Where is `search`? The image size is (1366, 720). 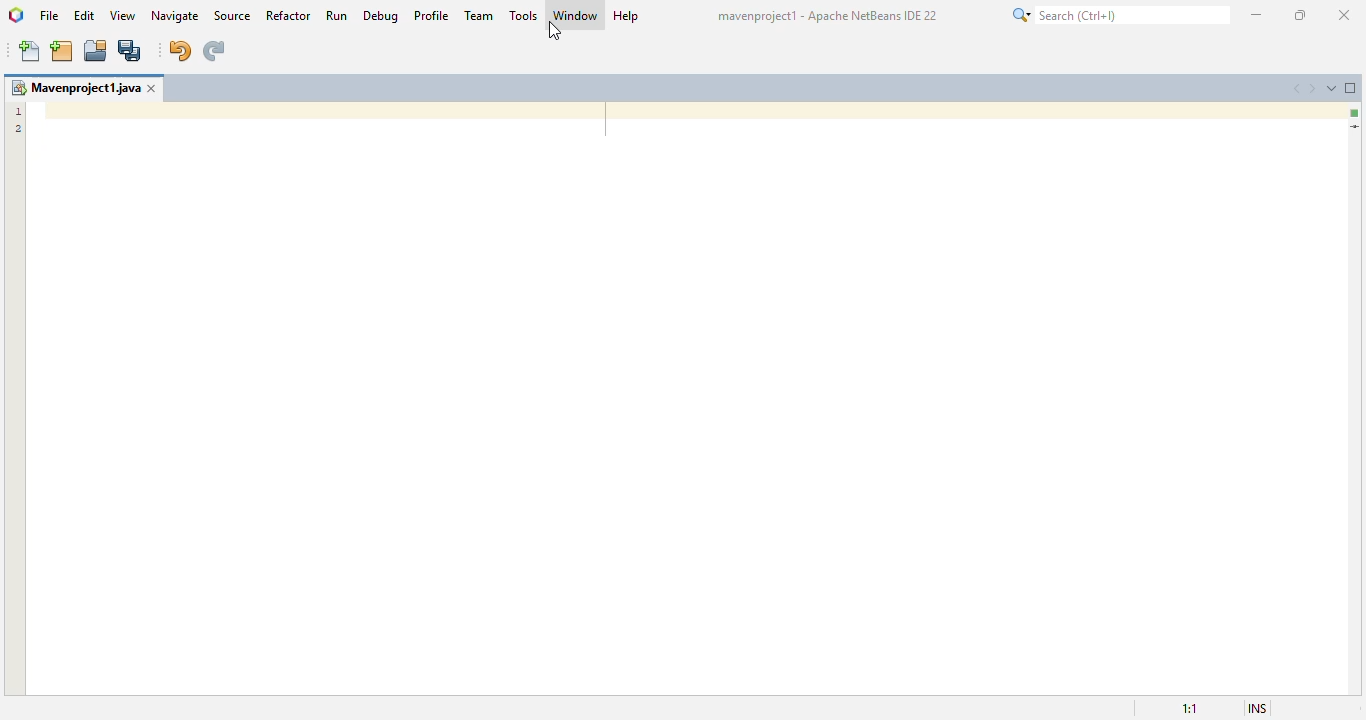 search is located at coordinates (1120, 14).